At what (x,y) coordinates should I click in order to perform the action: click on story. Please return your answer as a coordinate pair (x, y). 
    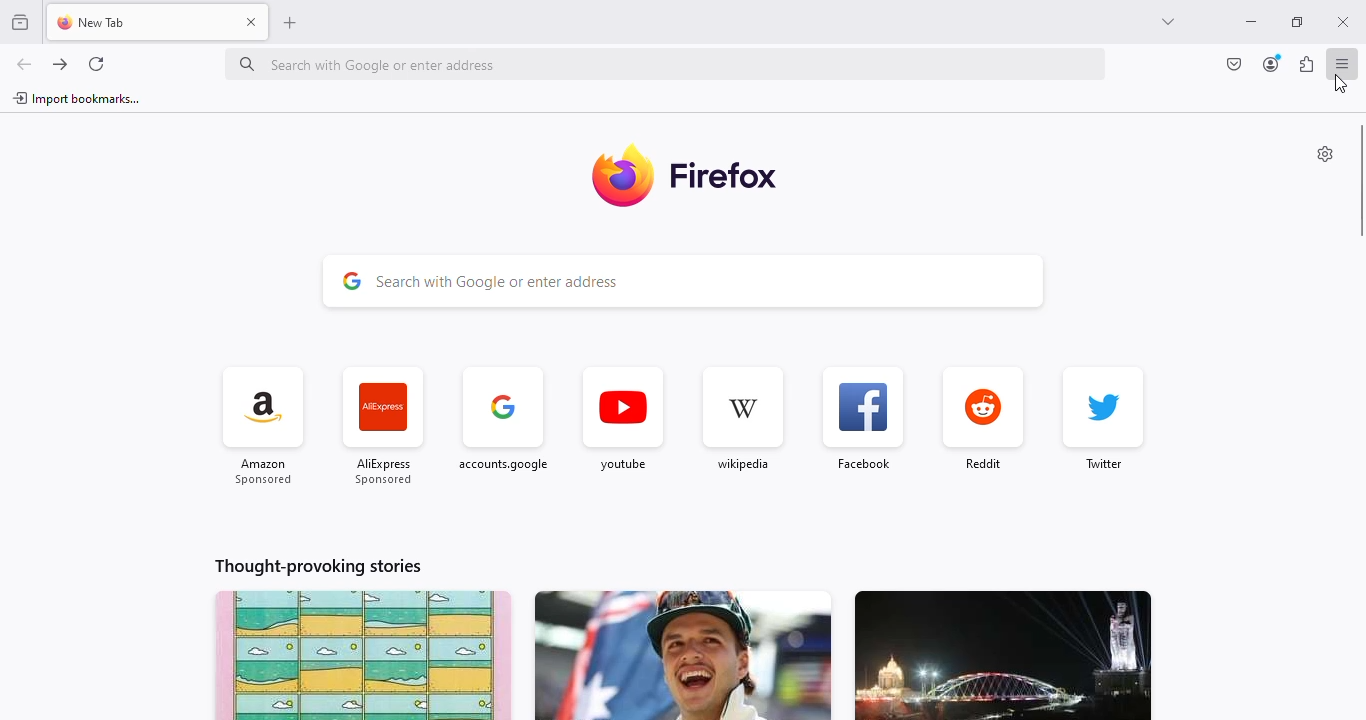
    Looking at the image, I should click on (363, 655).